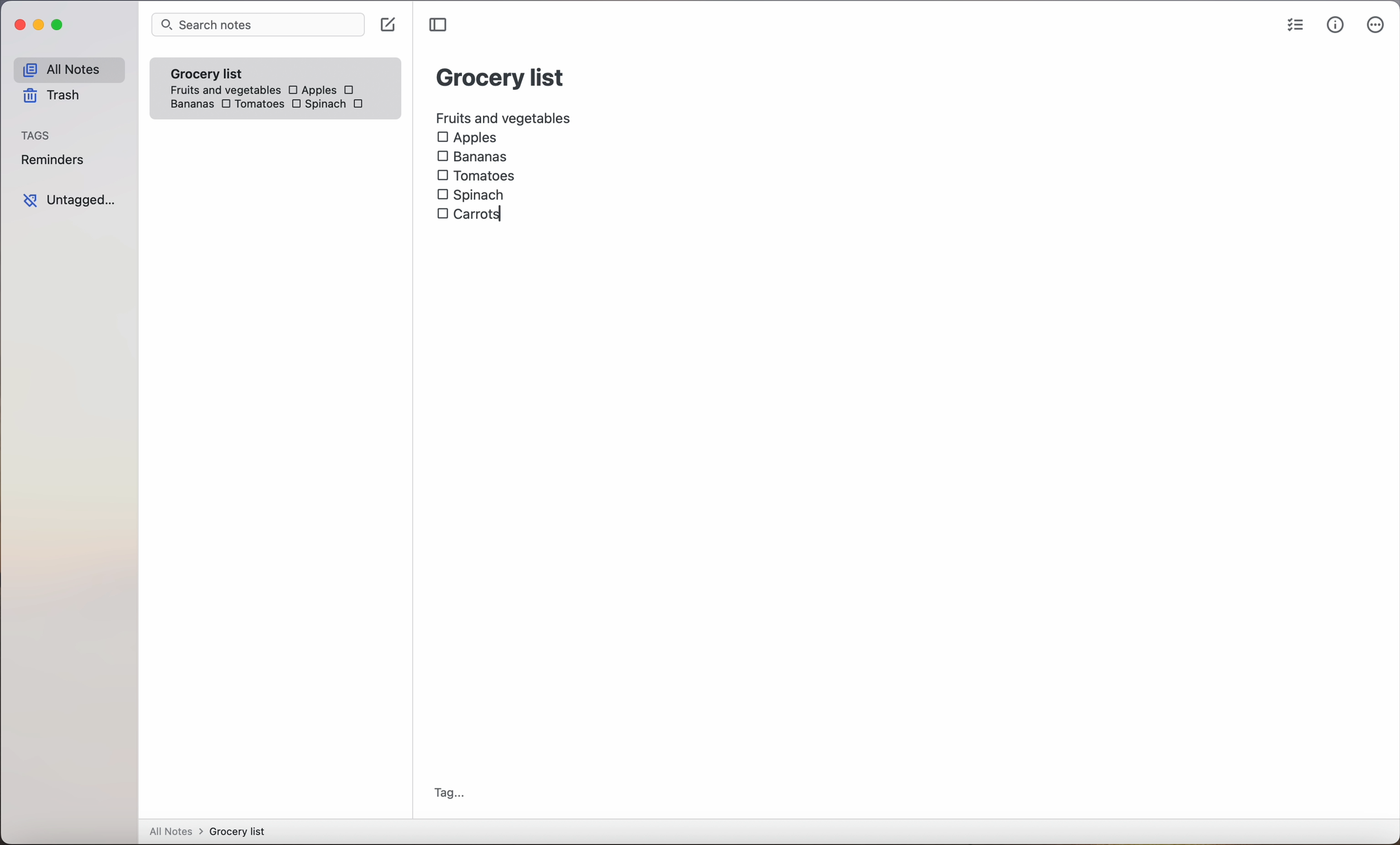 This screenshot has height=845, width=1400. I want to click on checkbox, so click(363, 105).